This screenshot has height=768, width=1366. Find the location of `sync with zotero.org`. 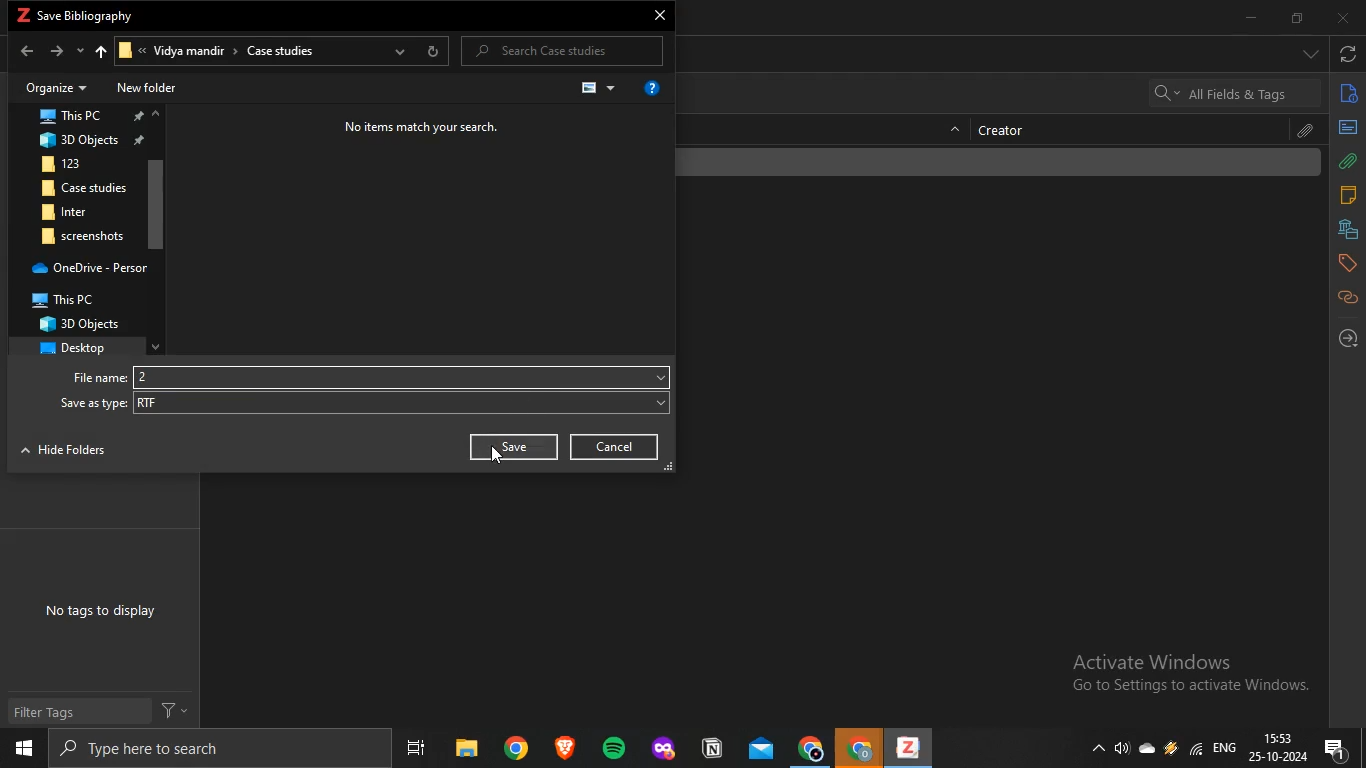

sync with zotero.org is located at coordinates (1349, 52).